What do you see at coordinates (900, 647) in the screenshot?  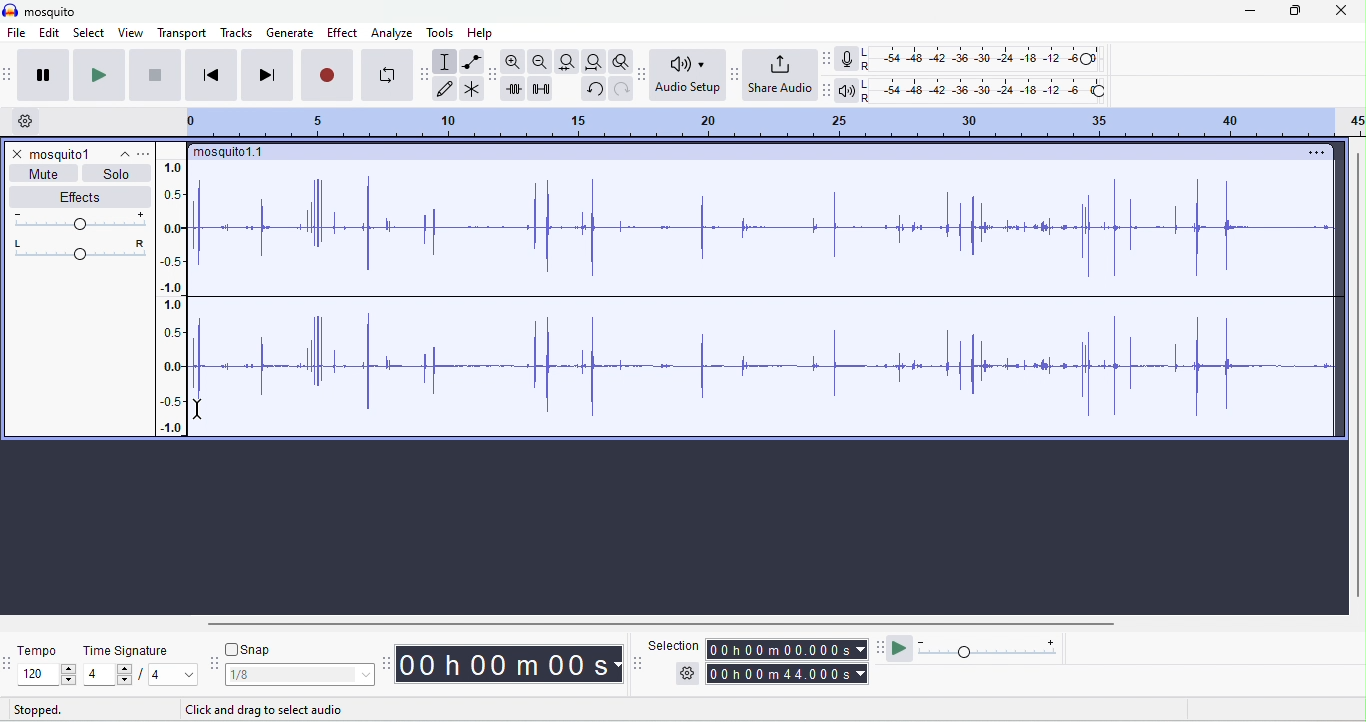 I see `play at speed/ play at speed once` at bounding box center [900, 647].